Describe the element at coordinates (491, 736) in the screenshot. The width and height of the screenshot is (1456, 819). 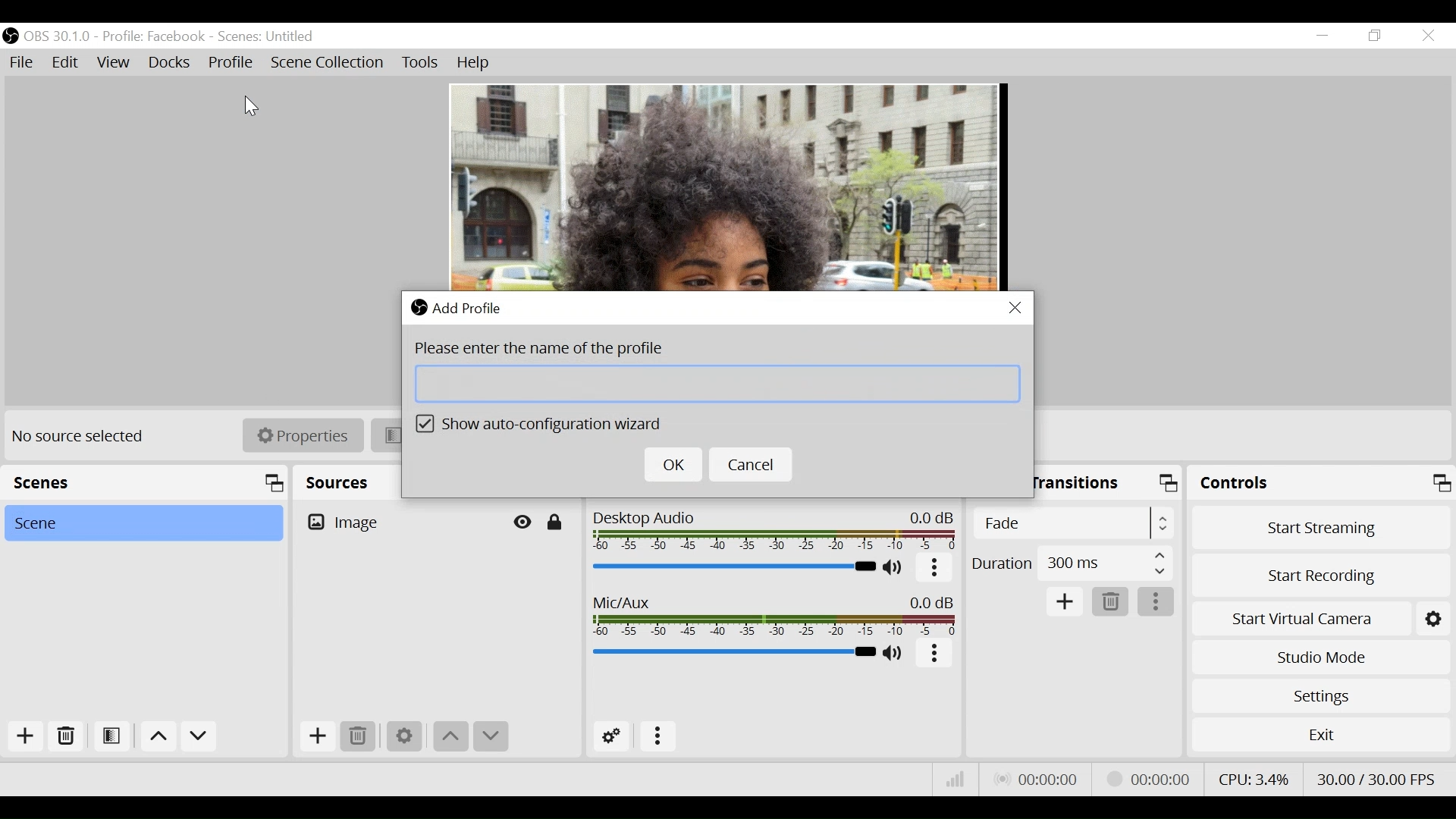
I see `Move down` at that location.